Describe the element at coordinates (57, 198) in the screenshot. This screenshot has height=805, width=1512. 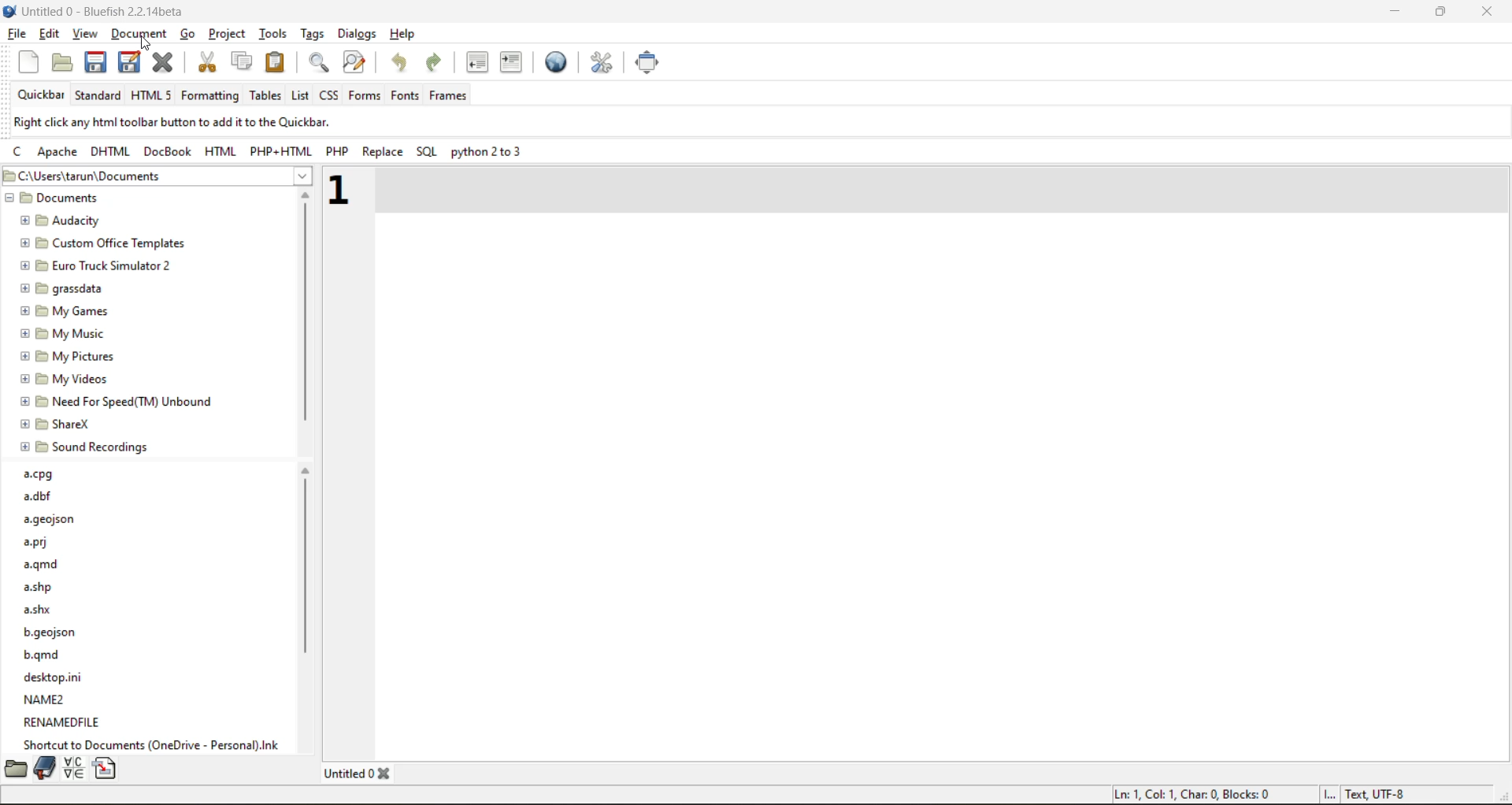
I see `Documents` at that location.